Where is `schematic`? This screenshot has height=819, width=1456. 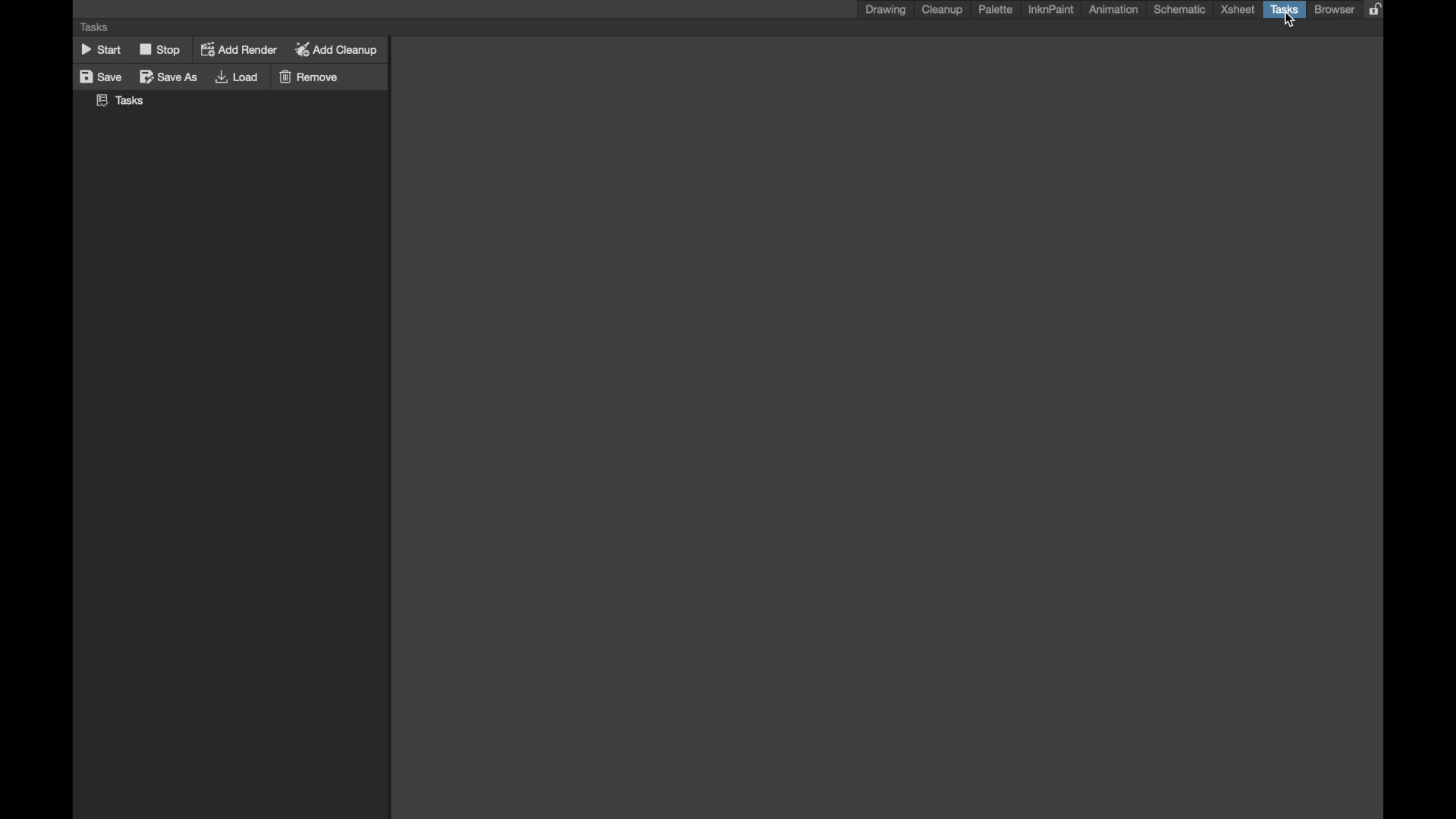 schematic is located at coordinates (1180, 10).